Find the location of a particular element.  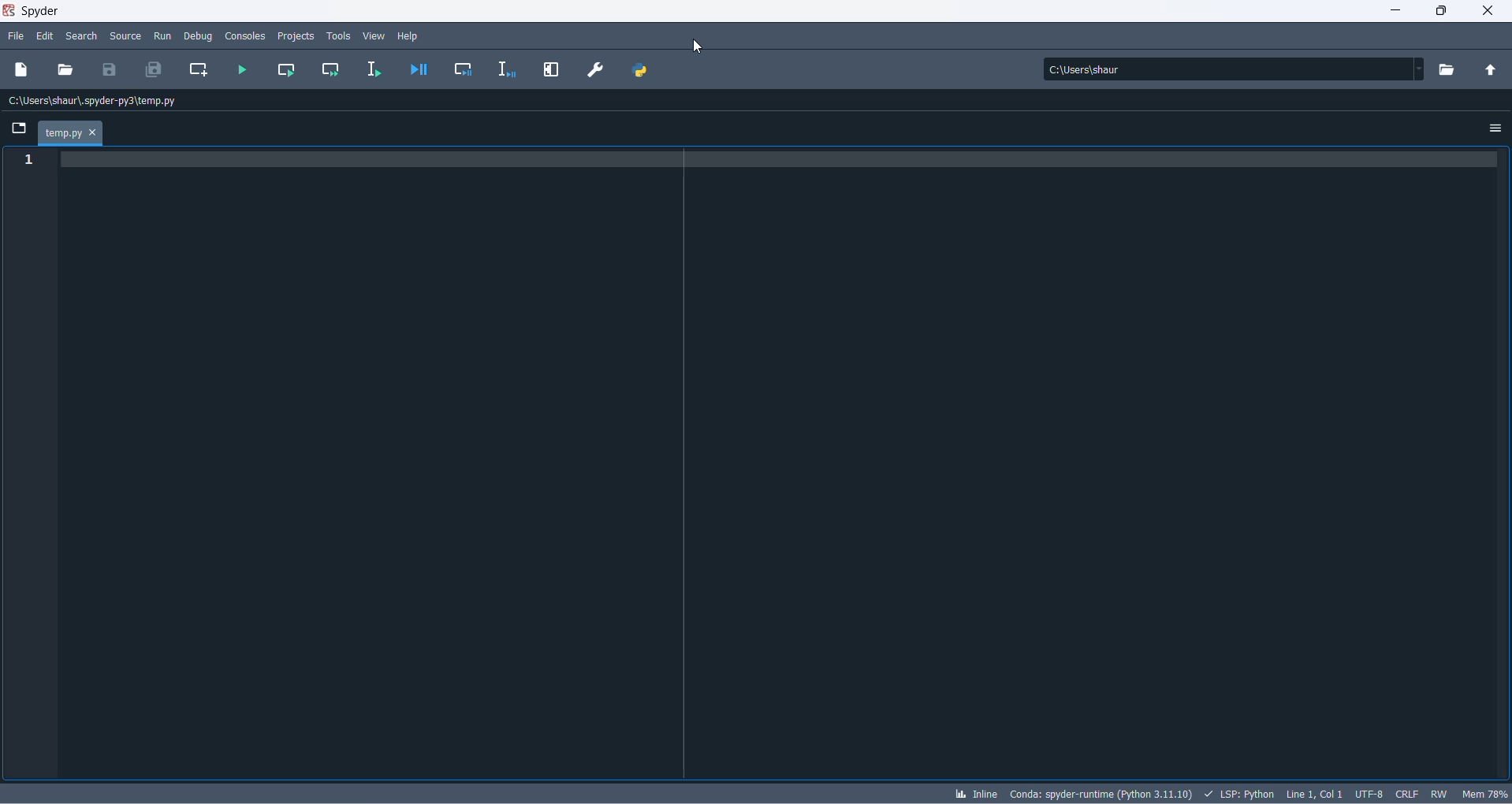

PYTHON PATH MANAGER is located at coordinates (639, 68).